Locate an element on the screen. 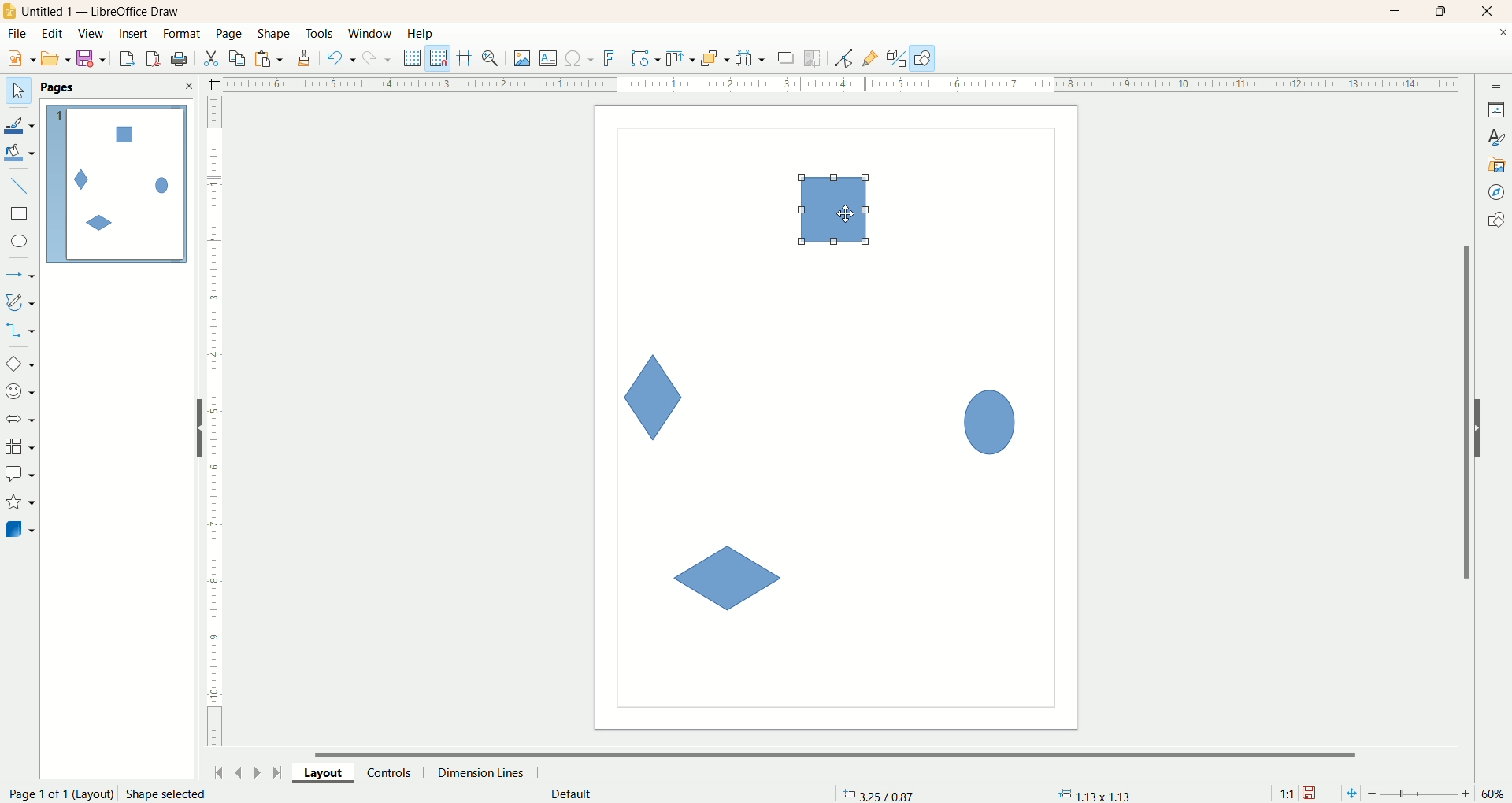 The image size is (1512, 803). undo is located at coordinates (341, 58).